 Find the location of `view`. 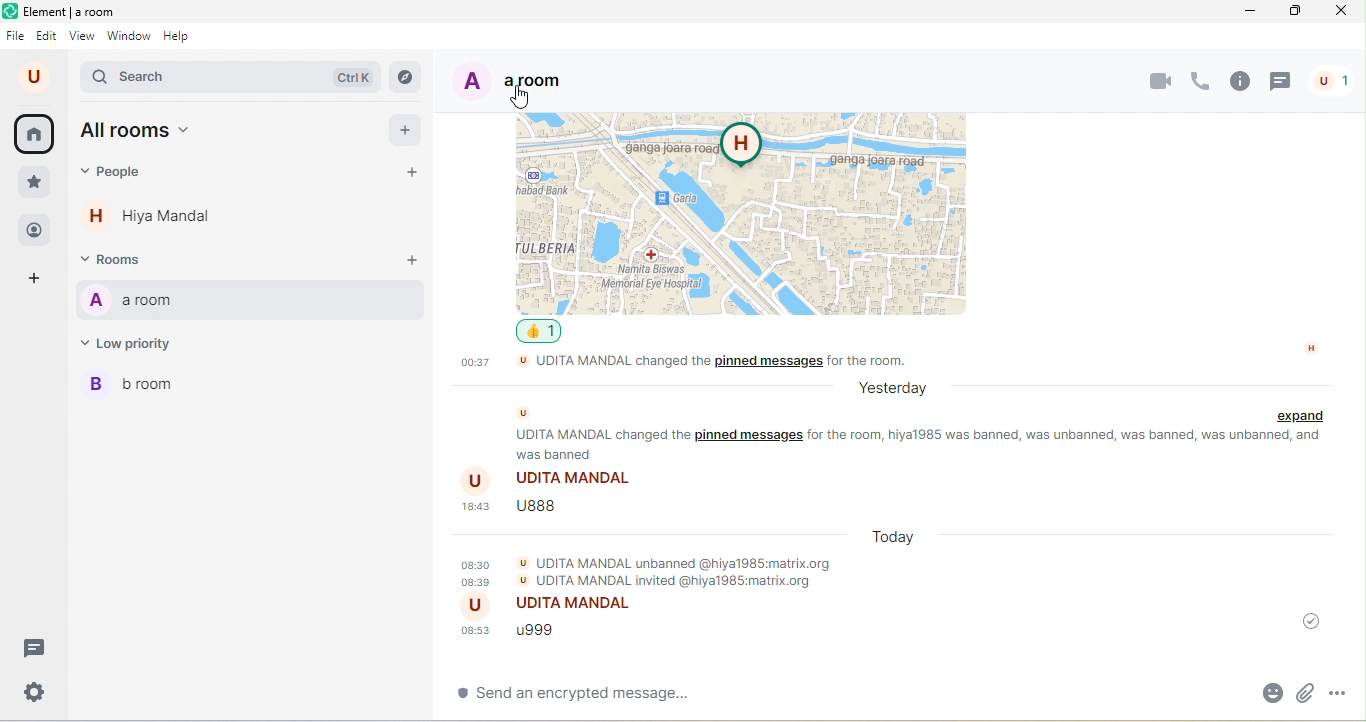

view is located at coordinates (82, 39).